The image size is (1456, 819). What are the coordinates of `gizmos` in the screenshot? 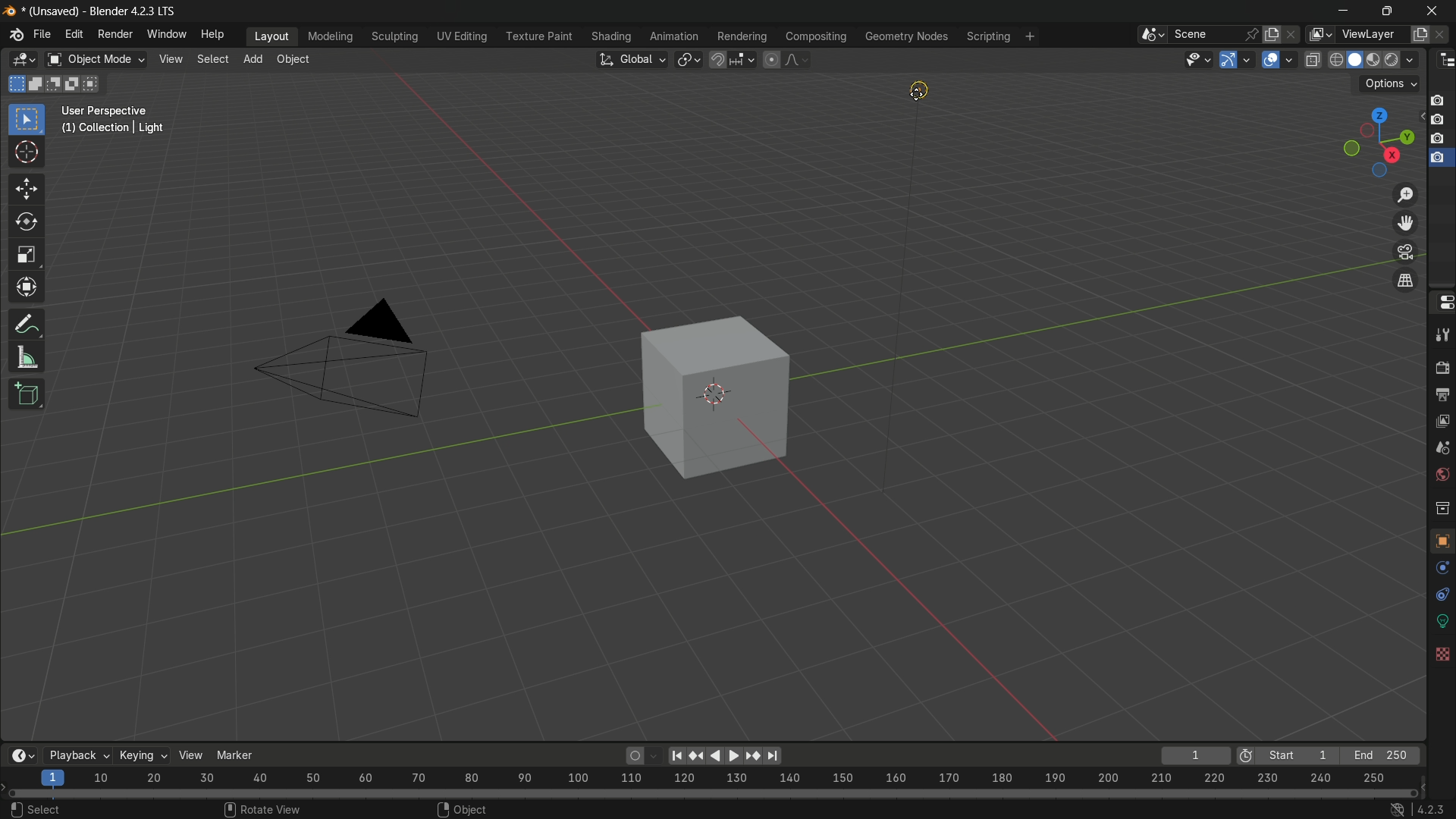 It's located at (1250, 59).